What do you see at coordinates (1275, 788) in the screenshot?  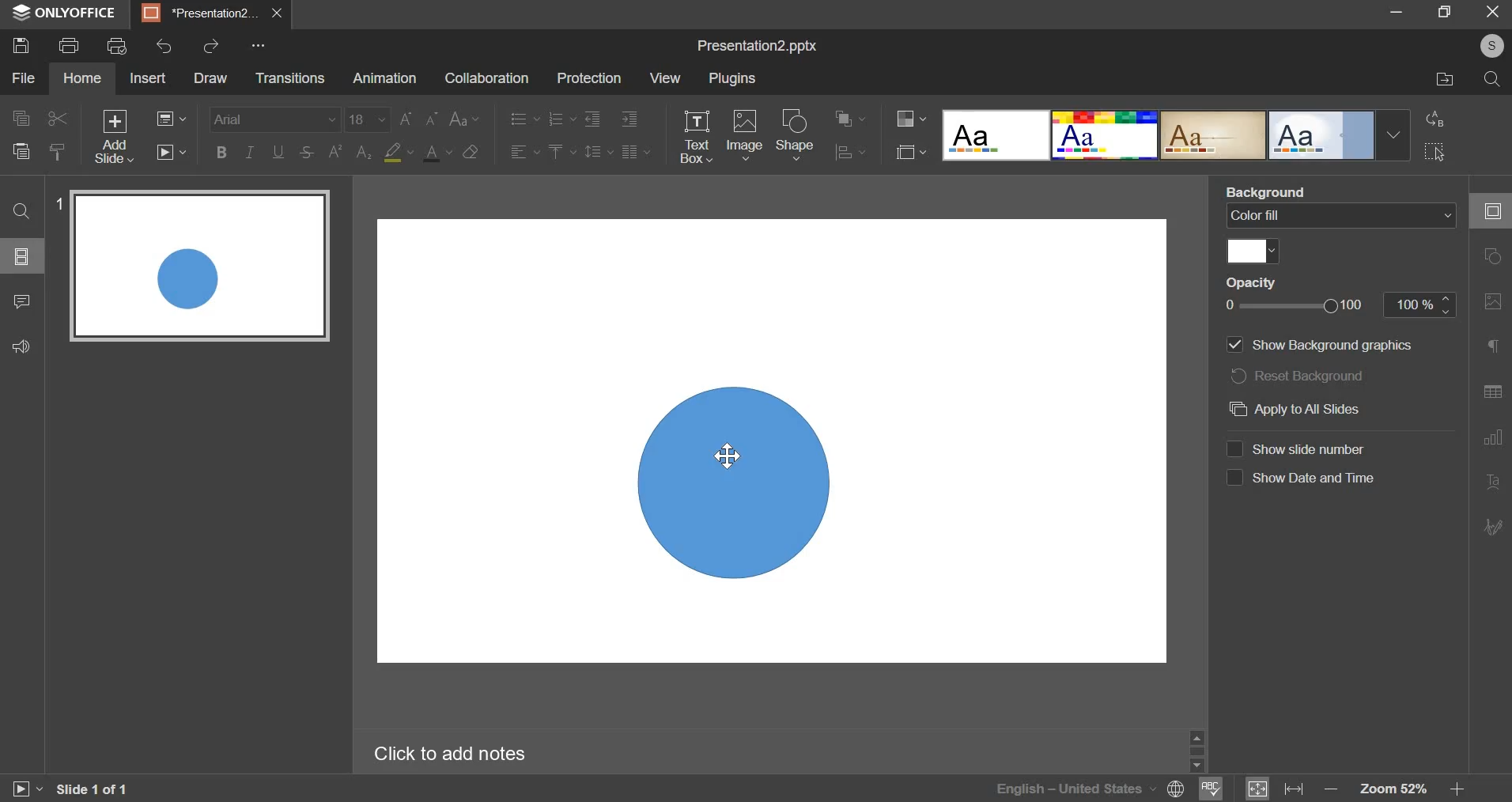 I see `fit` at bounding box center [1275, 788].